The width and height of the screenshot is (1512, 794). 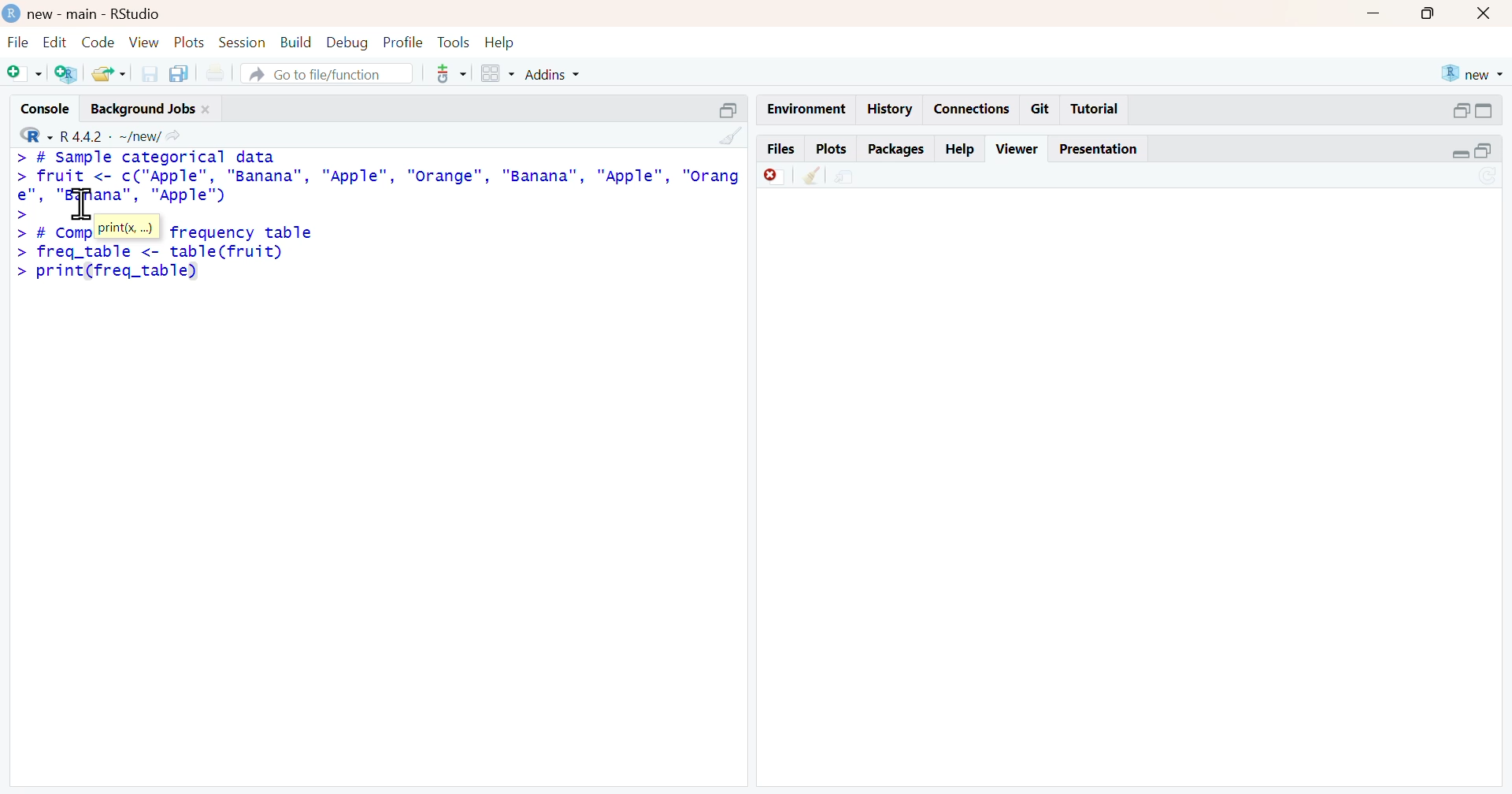 What do you see at coordinates (327, 74) in the screenshot?
I see `go to file/function` at bounding box center [327, 74].